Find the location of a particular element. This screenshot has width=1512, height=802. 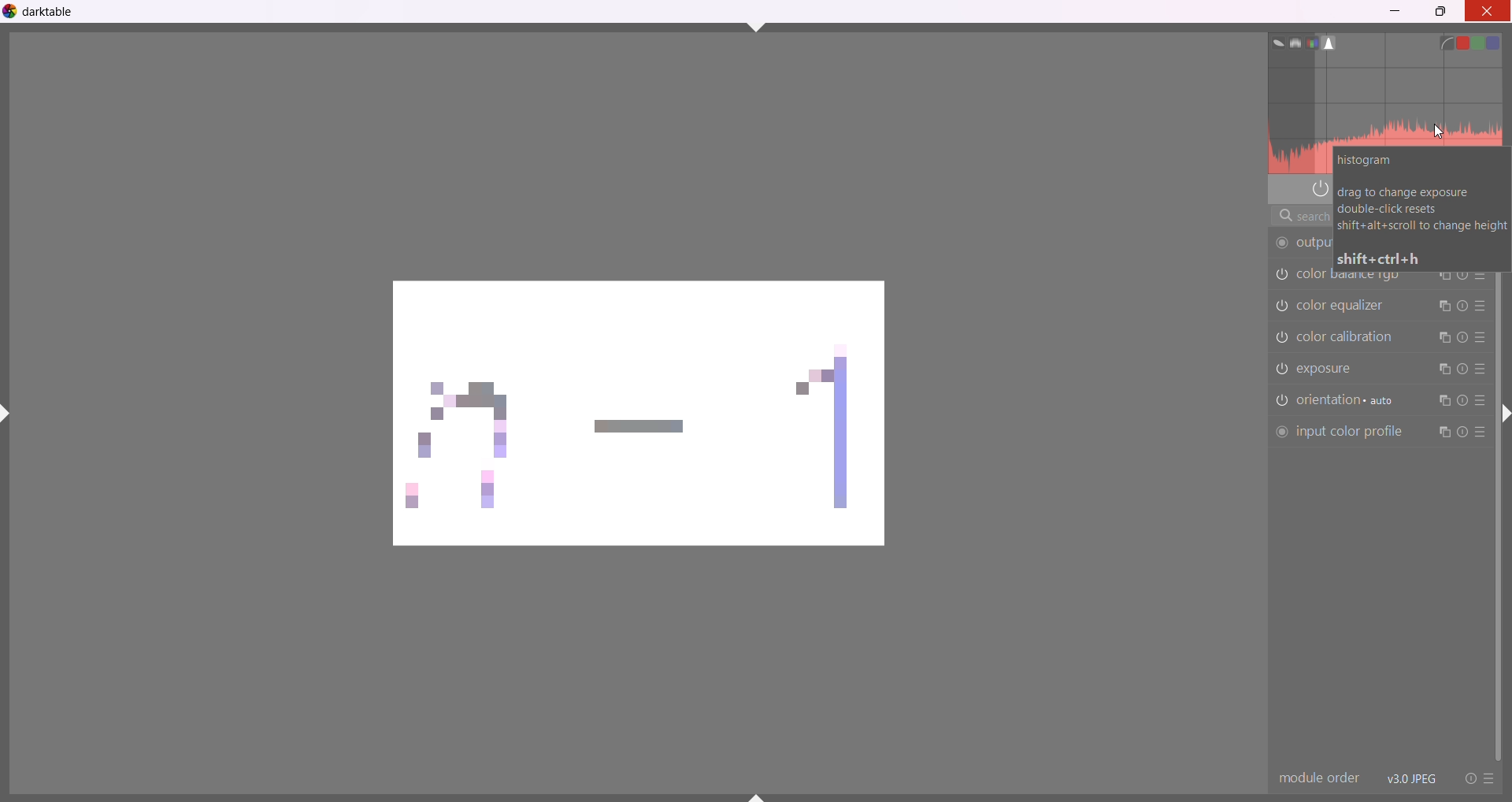

color equalizor is located at coordinates (1346, 304).